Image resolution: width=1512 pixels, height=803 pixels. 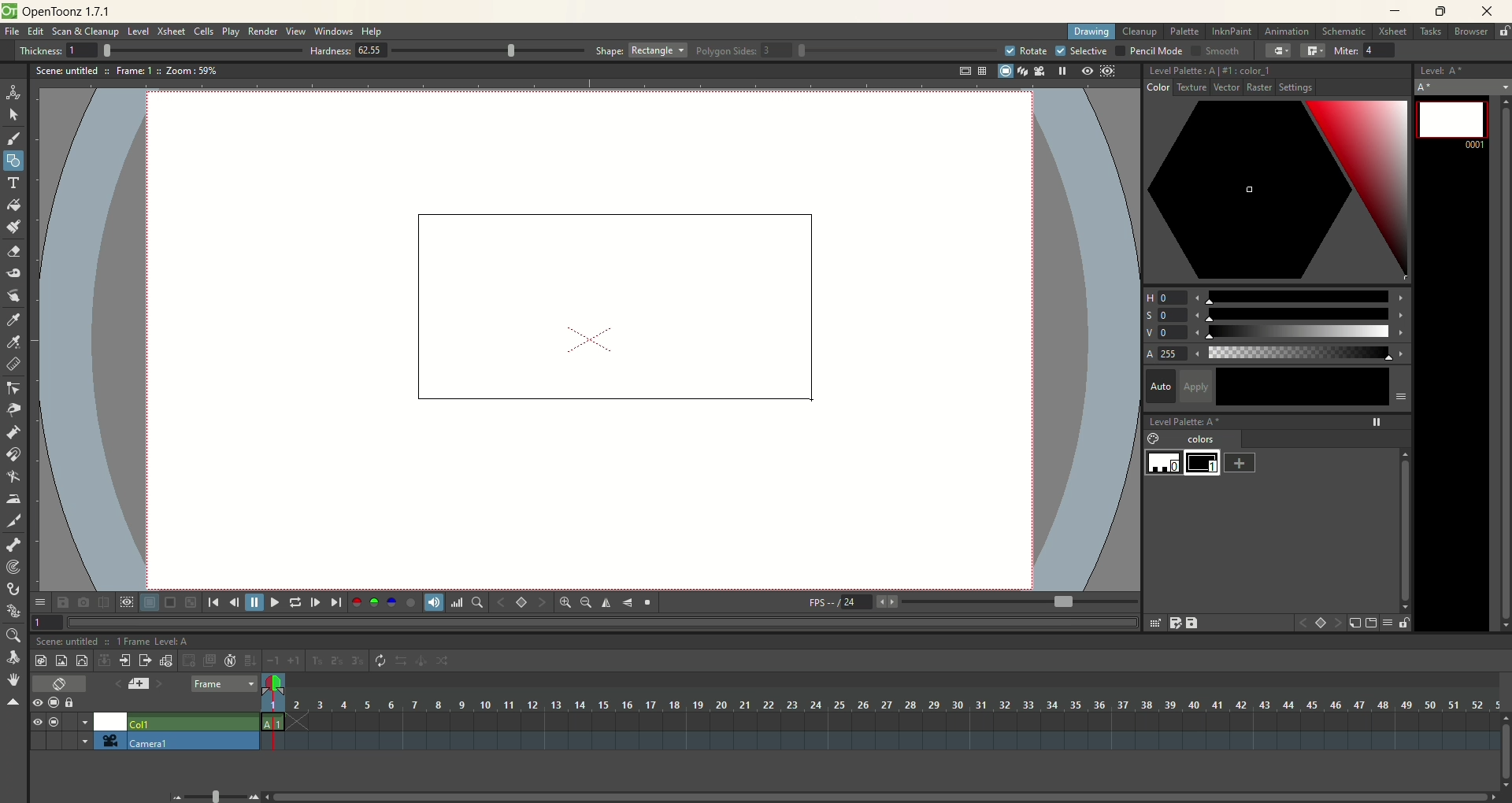 What do you see at coordinates (104, 660) in the screenshot?
I see `collapse` at bounding box center [104, 660].